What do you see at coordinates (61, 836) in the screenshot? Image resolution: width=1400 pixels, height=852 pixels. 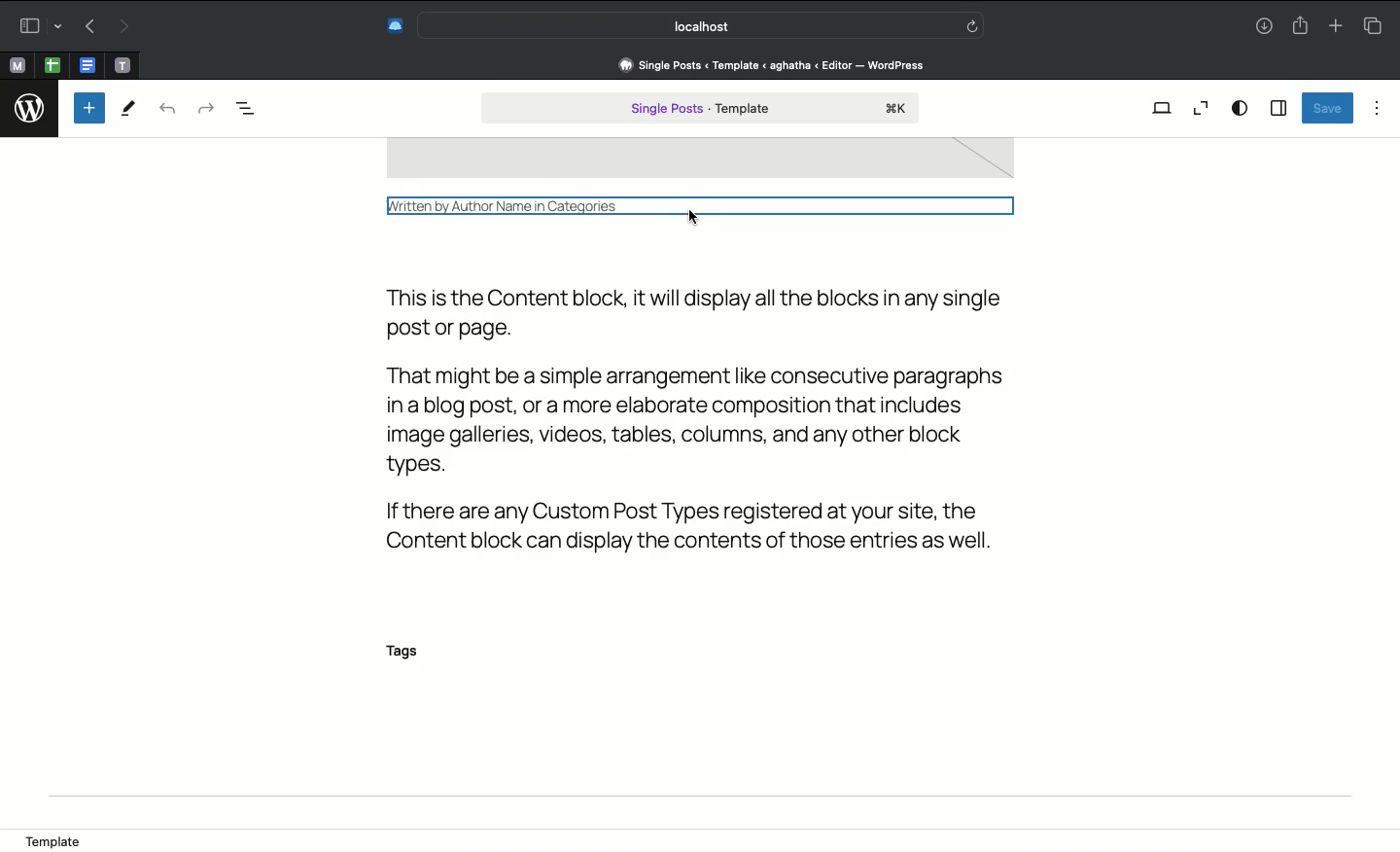 I see `template` at bounding box center [61, 836].